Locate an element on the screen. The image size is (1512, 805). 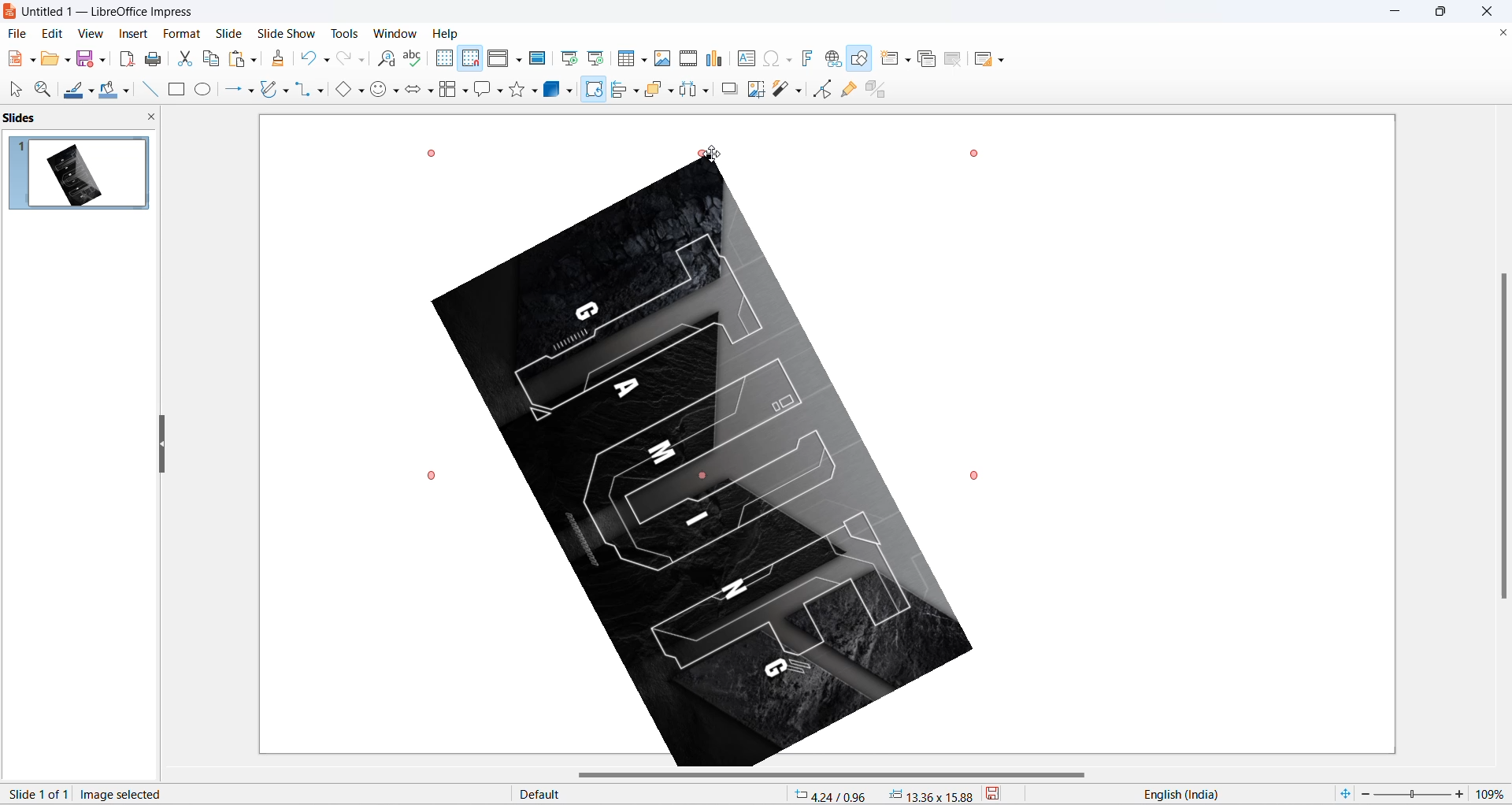
new slide options is located at coordinates (910, 60).